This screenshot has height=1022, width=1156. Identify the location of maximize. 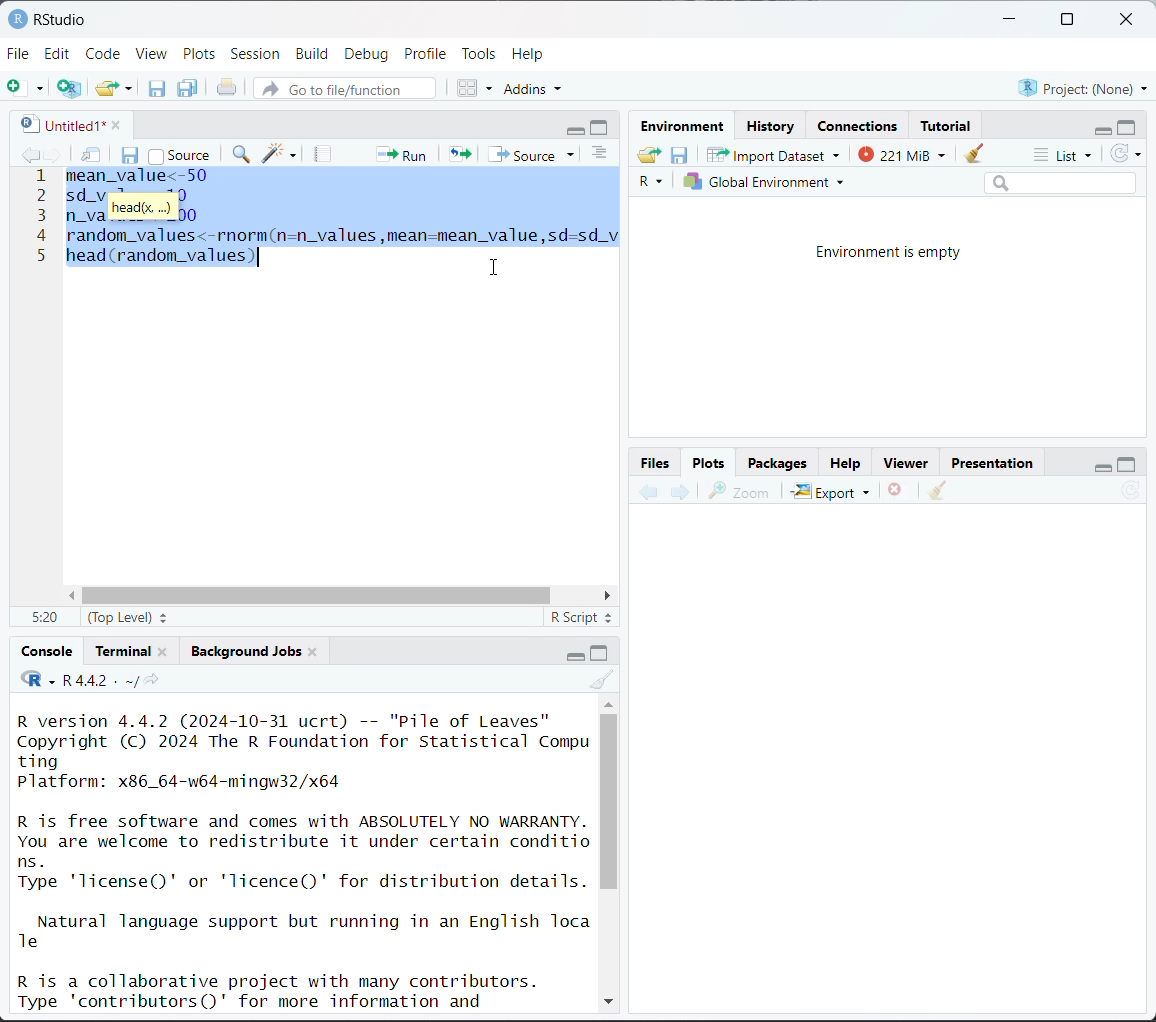
(1128, 126).